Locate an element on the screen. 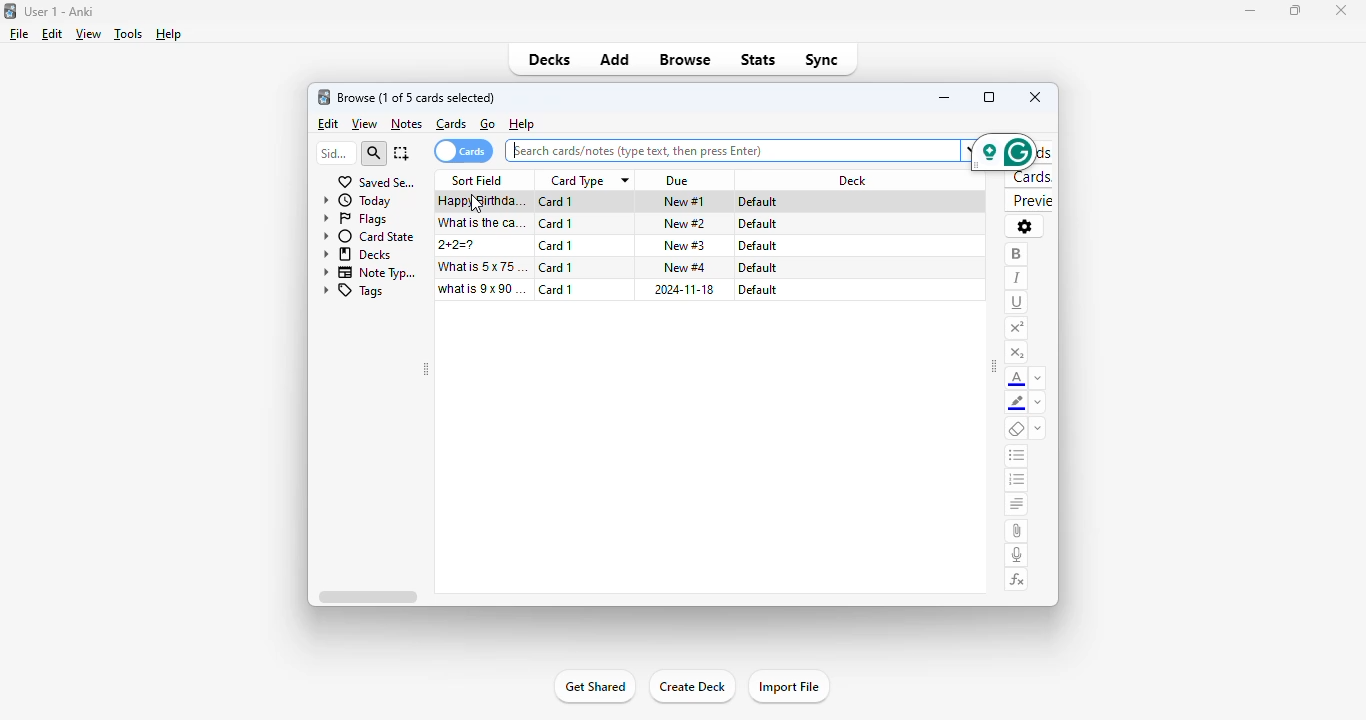  title is located at coordinates (58, 12).